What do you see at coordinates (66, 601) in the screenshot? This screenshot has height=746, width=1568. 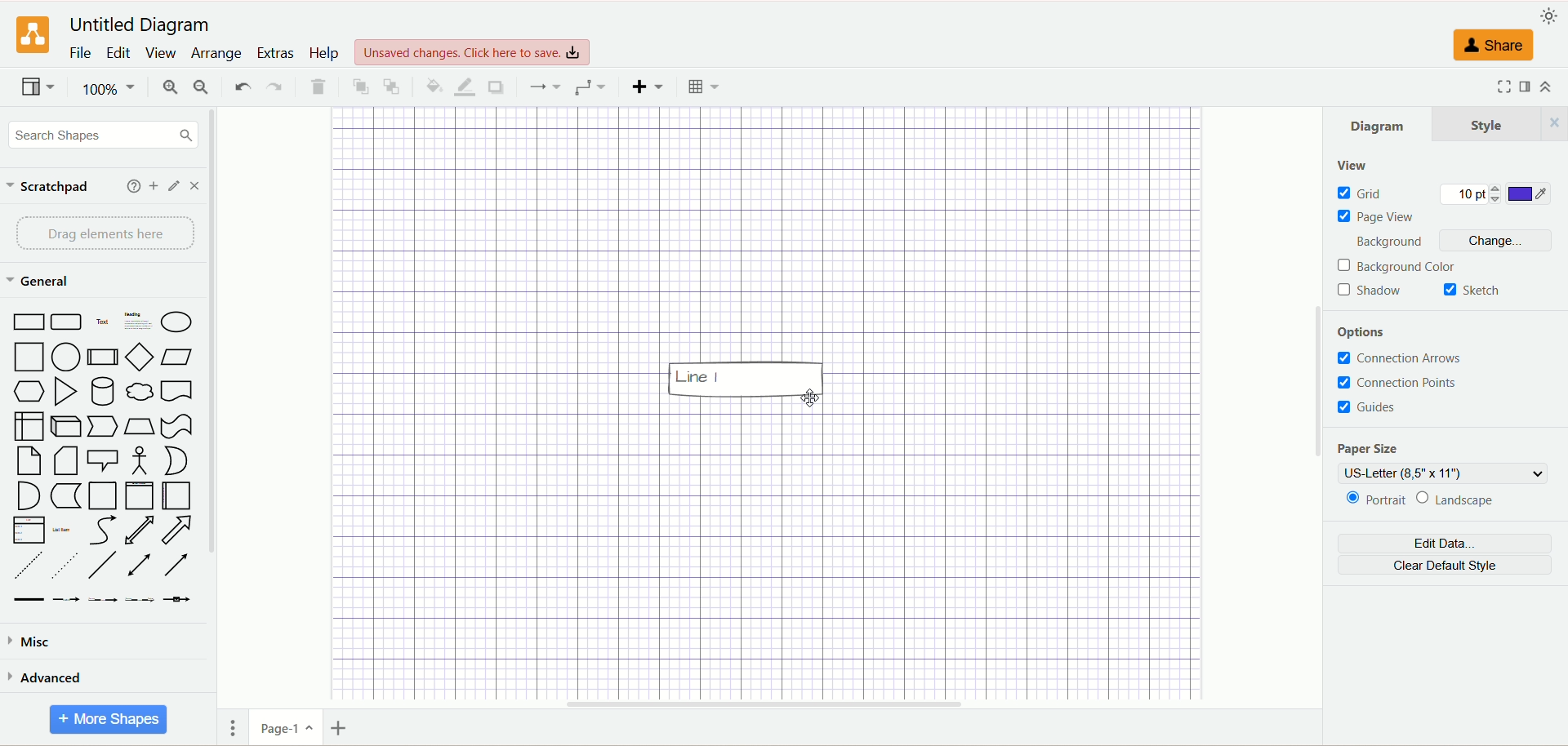 I see `Connector with label` at bounding box center [66, 601].